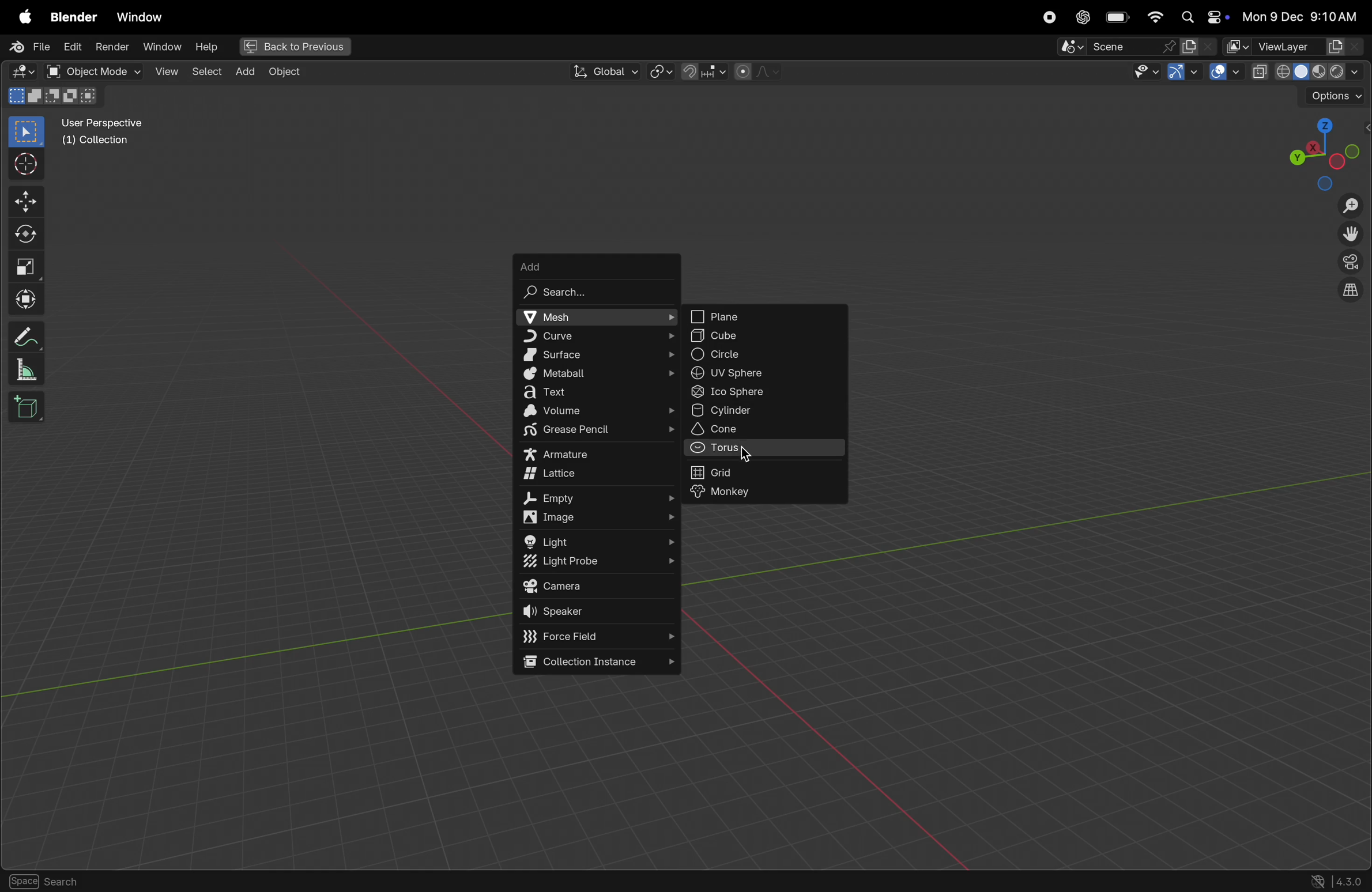 Image resolution: width=1372 pixels, height=892 pixels. Describe the element at coordinates (768, 472) in the screenshot. I see `grid` at that location.